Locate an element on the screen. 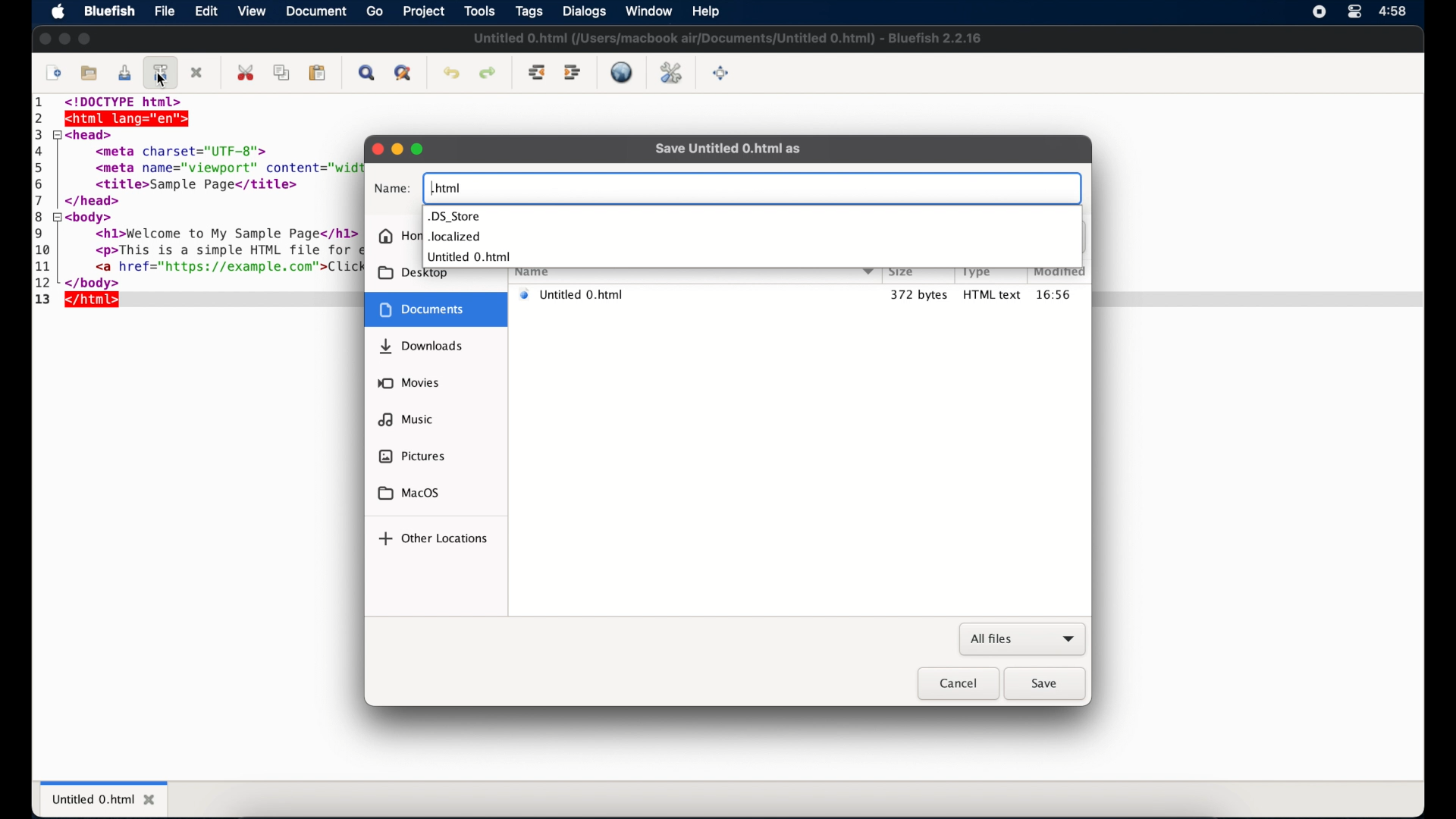  indent is located at coordinates (573, 73).